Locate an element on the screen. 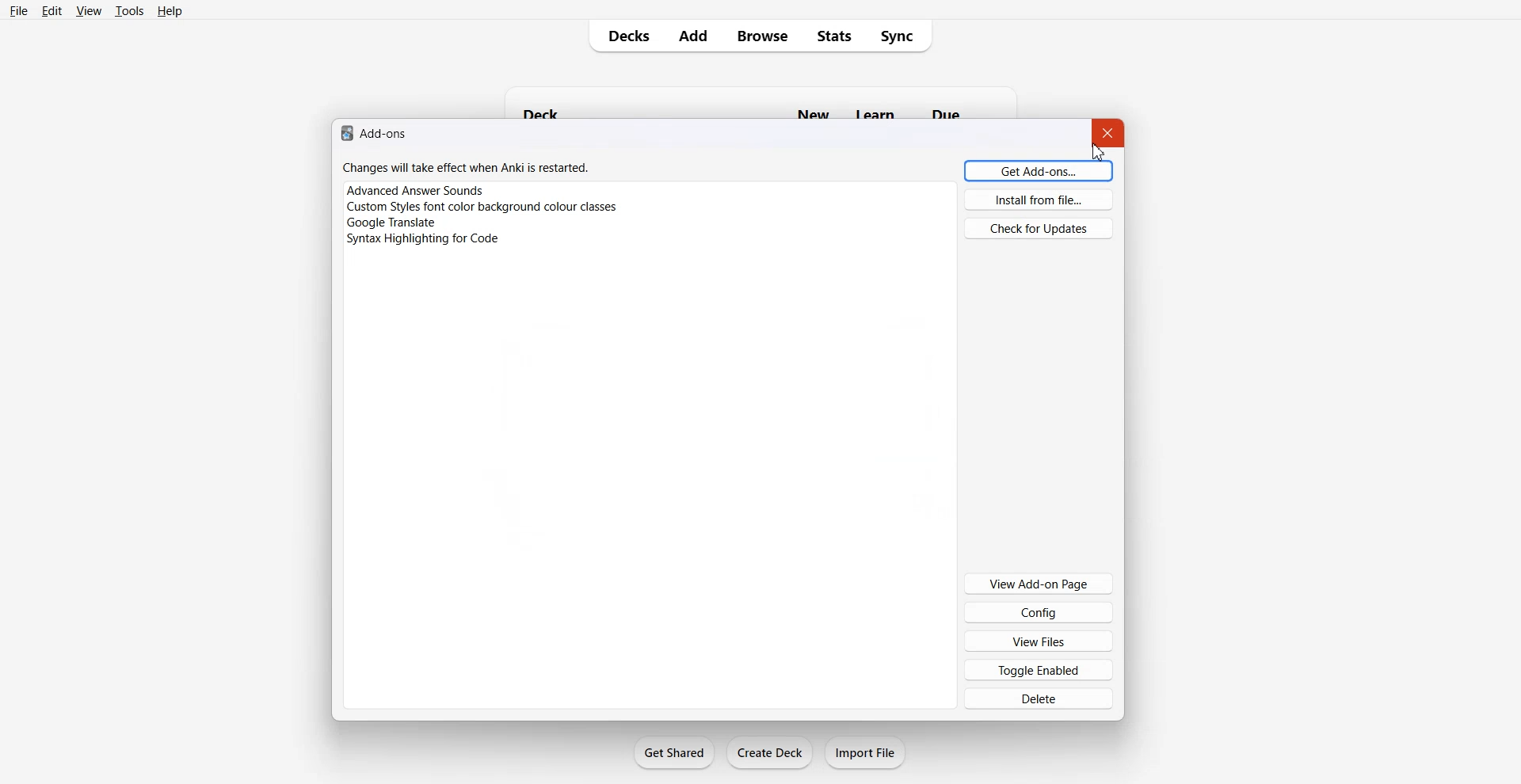 Image resolution: width=1521 pixels, height=784 pixels. learn is located at coordinates (872, 113).